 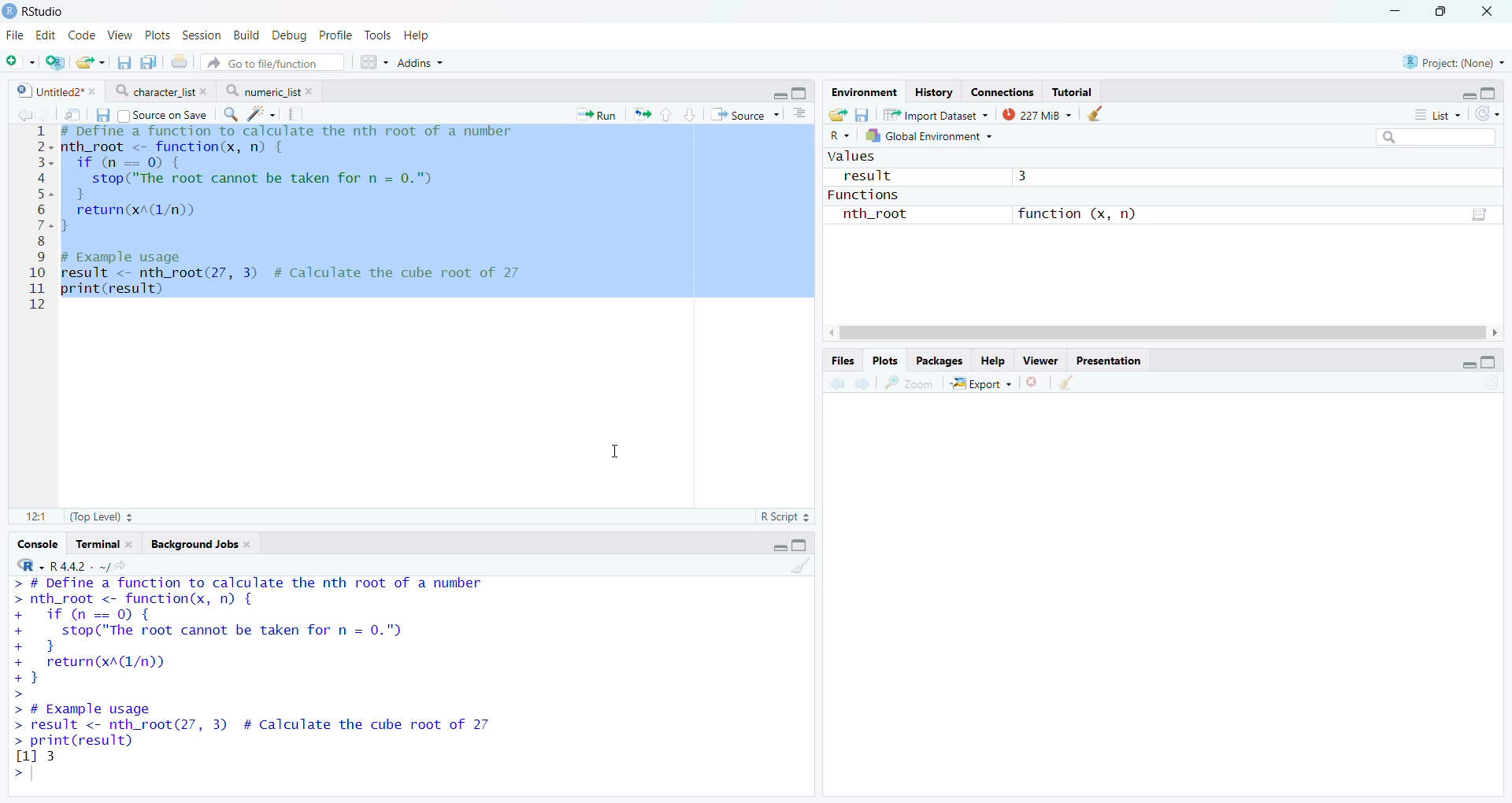 I want to click on Save all open files, so click(x=146, y=62).